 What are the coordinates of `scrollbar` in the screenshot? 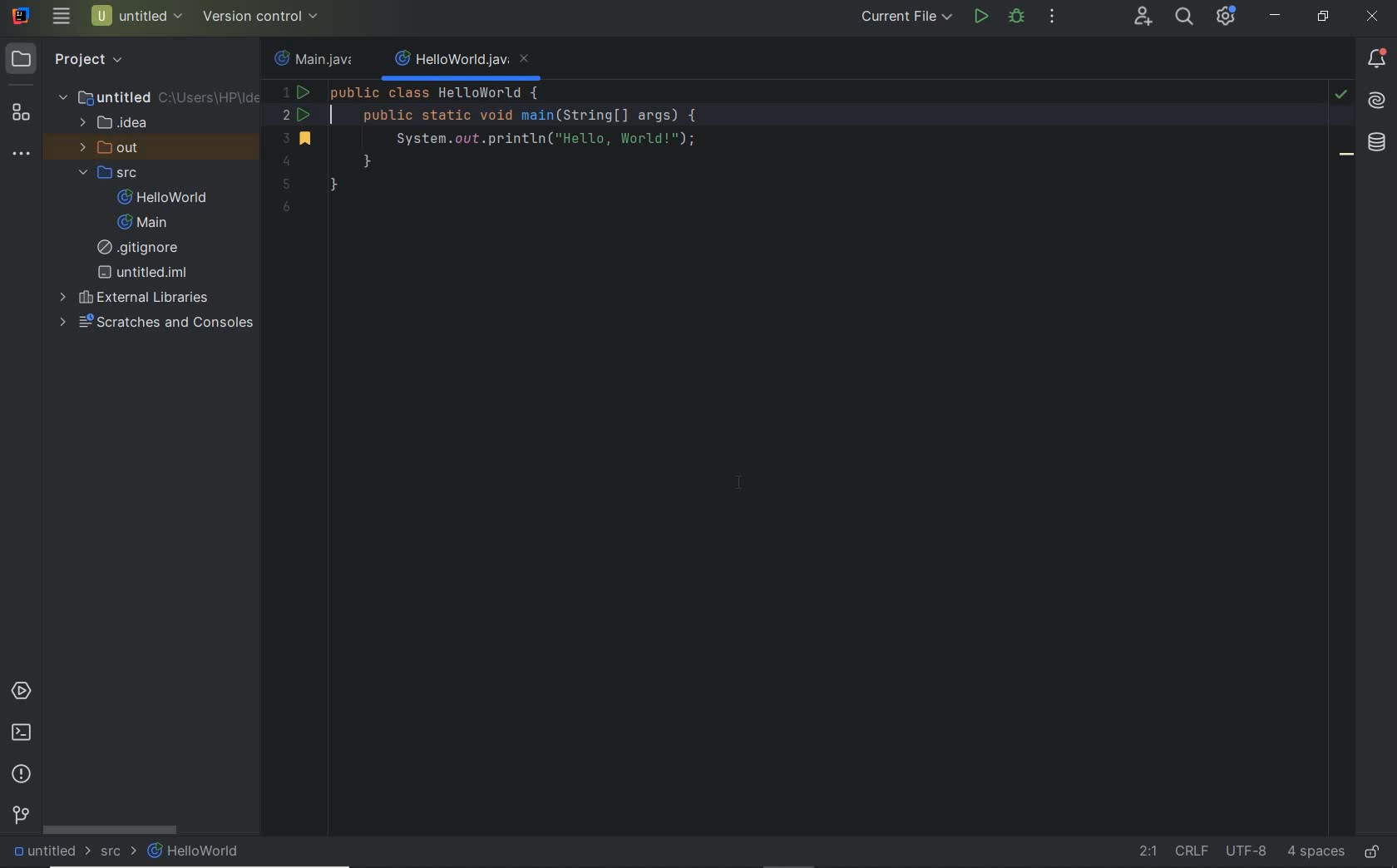 It's located at (111, 830).